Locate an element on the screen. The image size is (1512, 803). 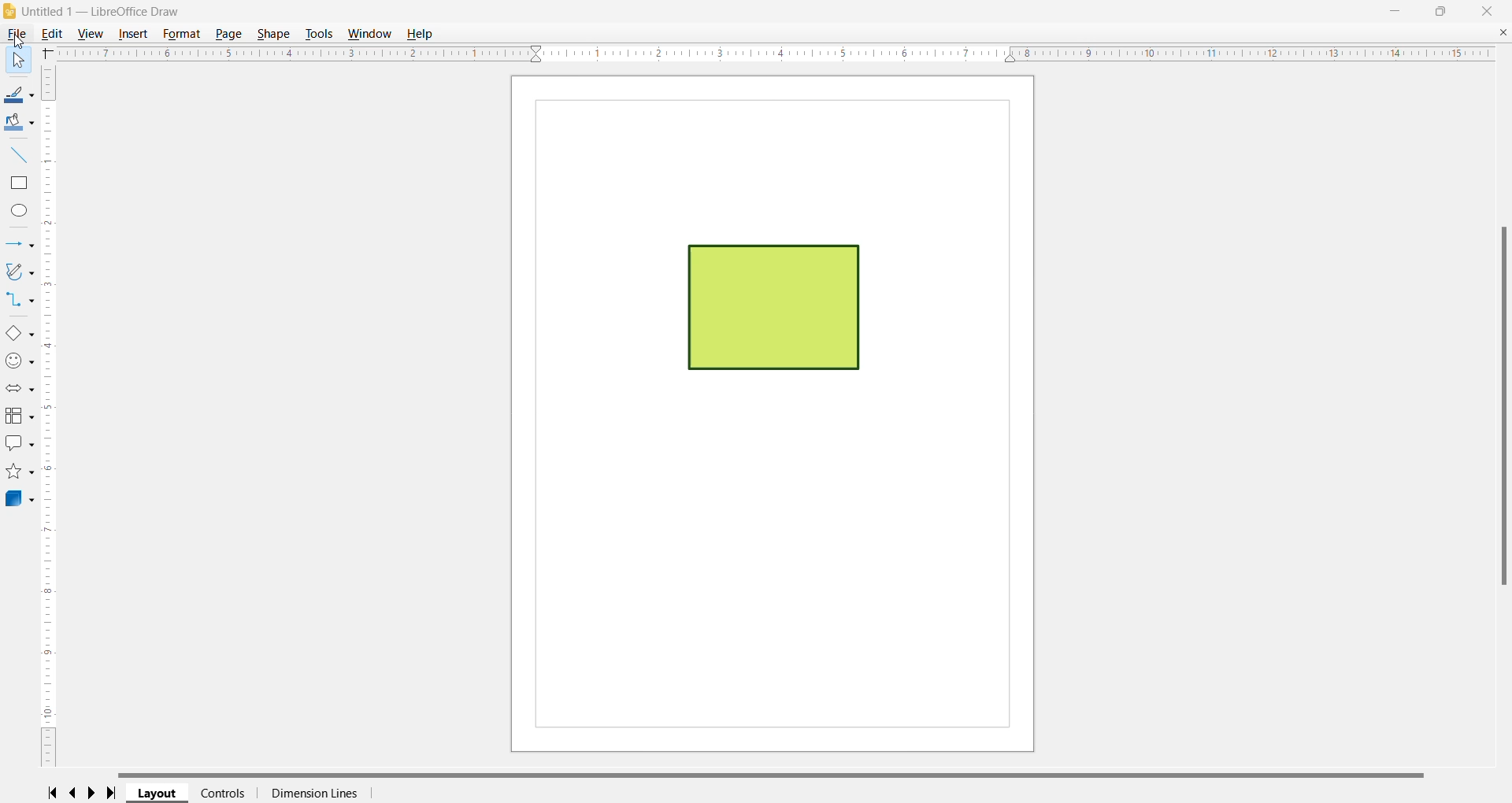
Scroll to previous page is located at coordinates (74, 794).